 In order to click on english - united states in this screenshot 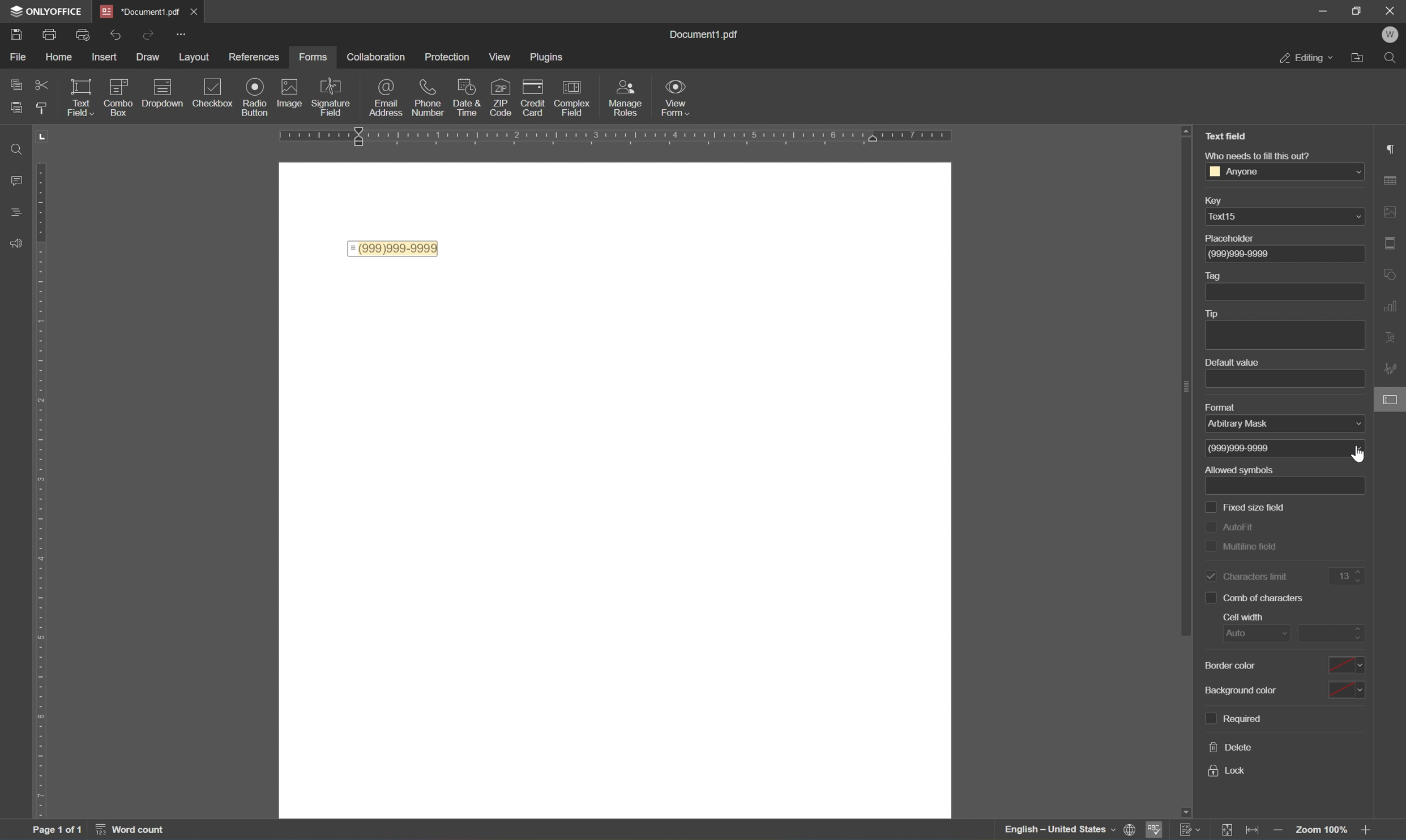, I will do `click(1058, 830)`.